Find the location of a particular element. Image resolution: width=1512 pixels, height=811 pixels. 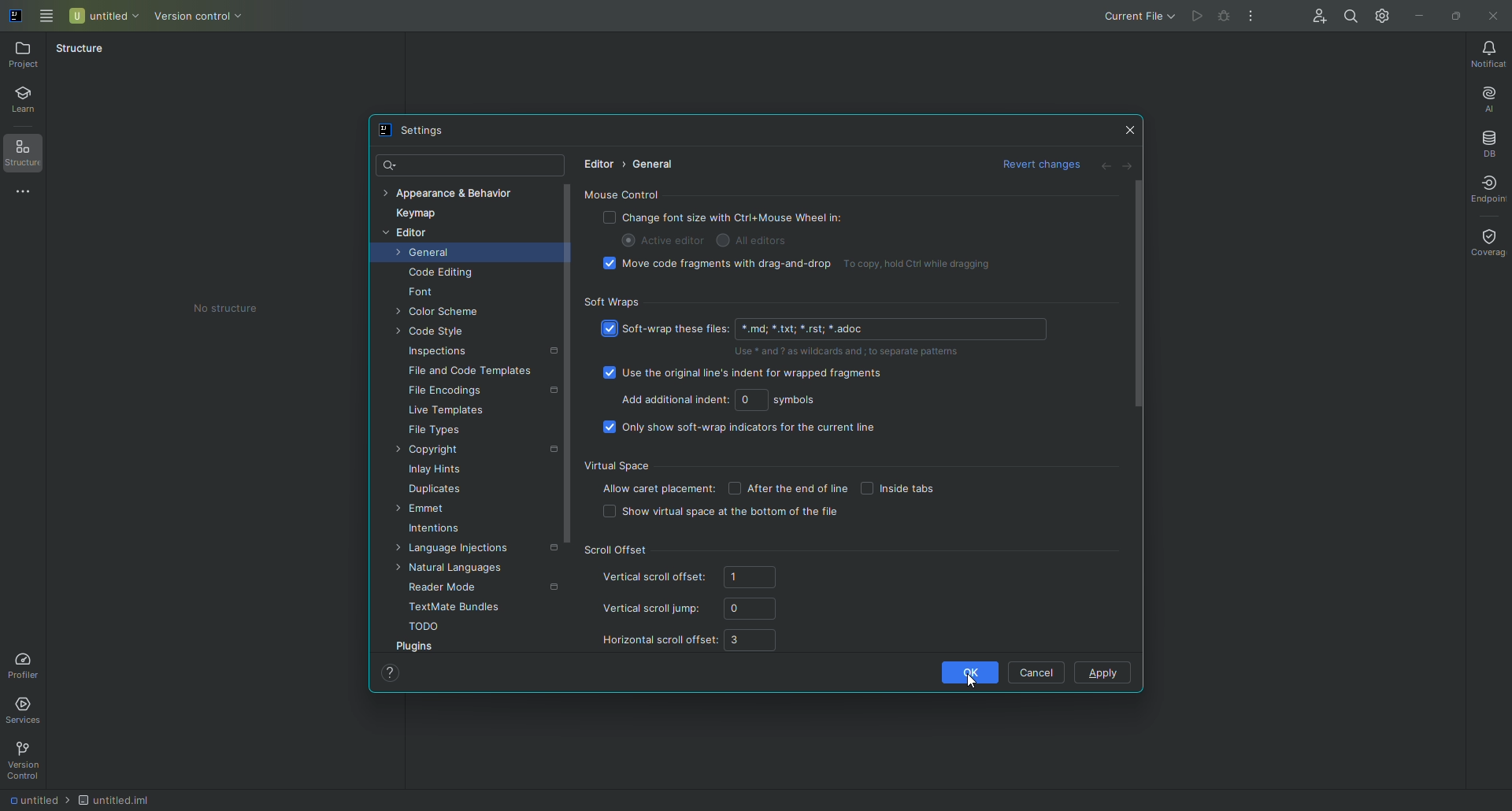

Keymap is located at coordinates (415, 217).